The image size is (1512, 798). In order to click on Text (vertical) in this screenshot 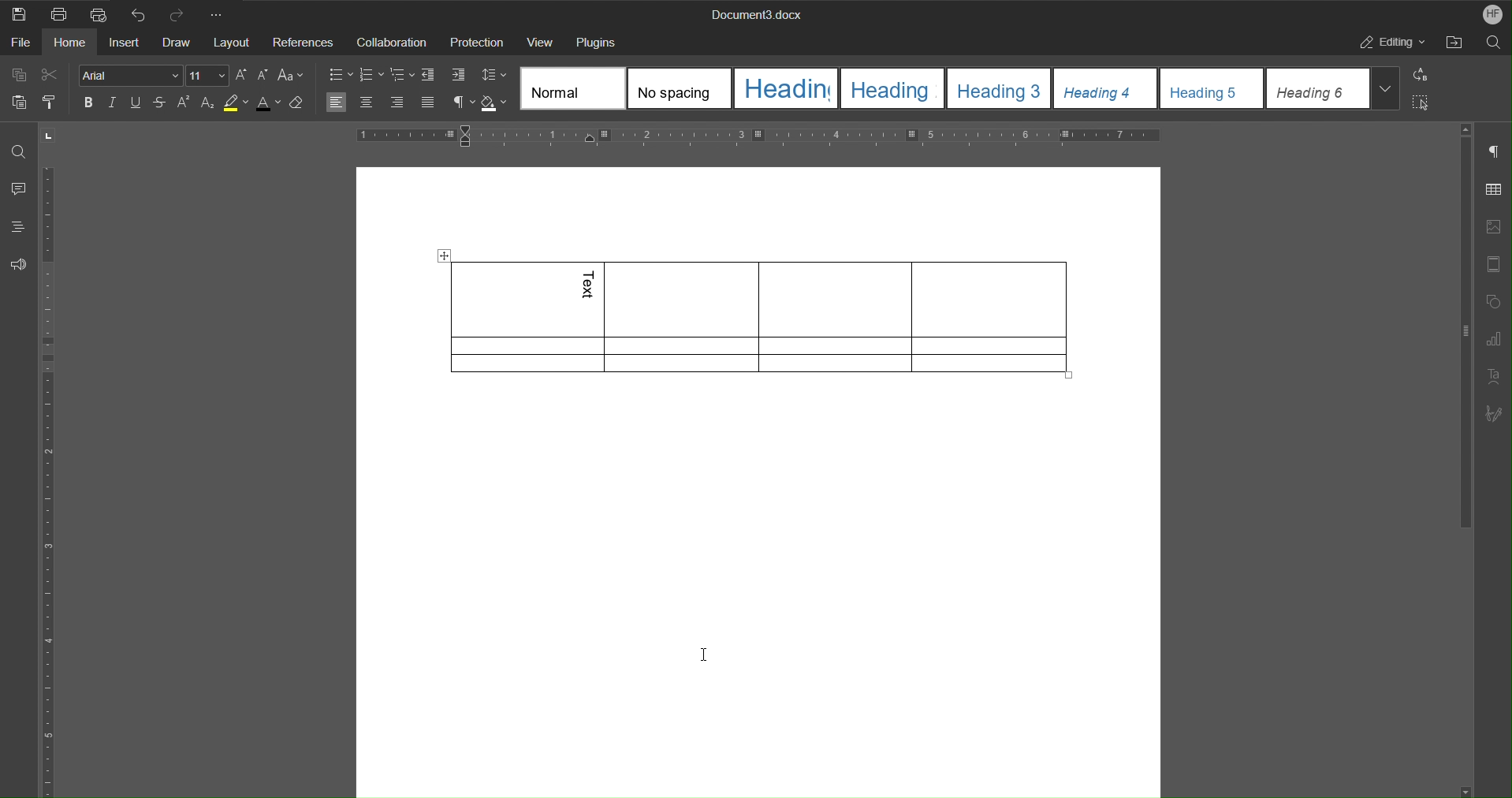, I will do `click(590, 286)`.